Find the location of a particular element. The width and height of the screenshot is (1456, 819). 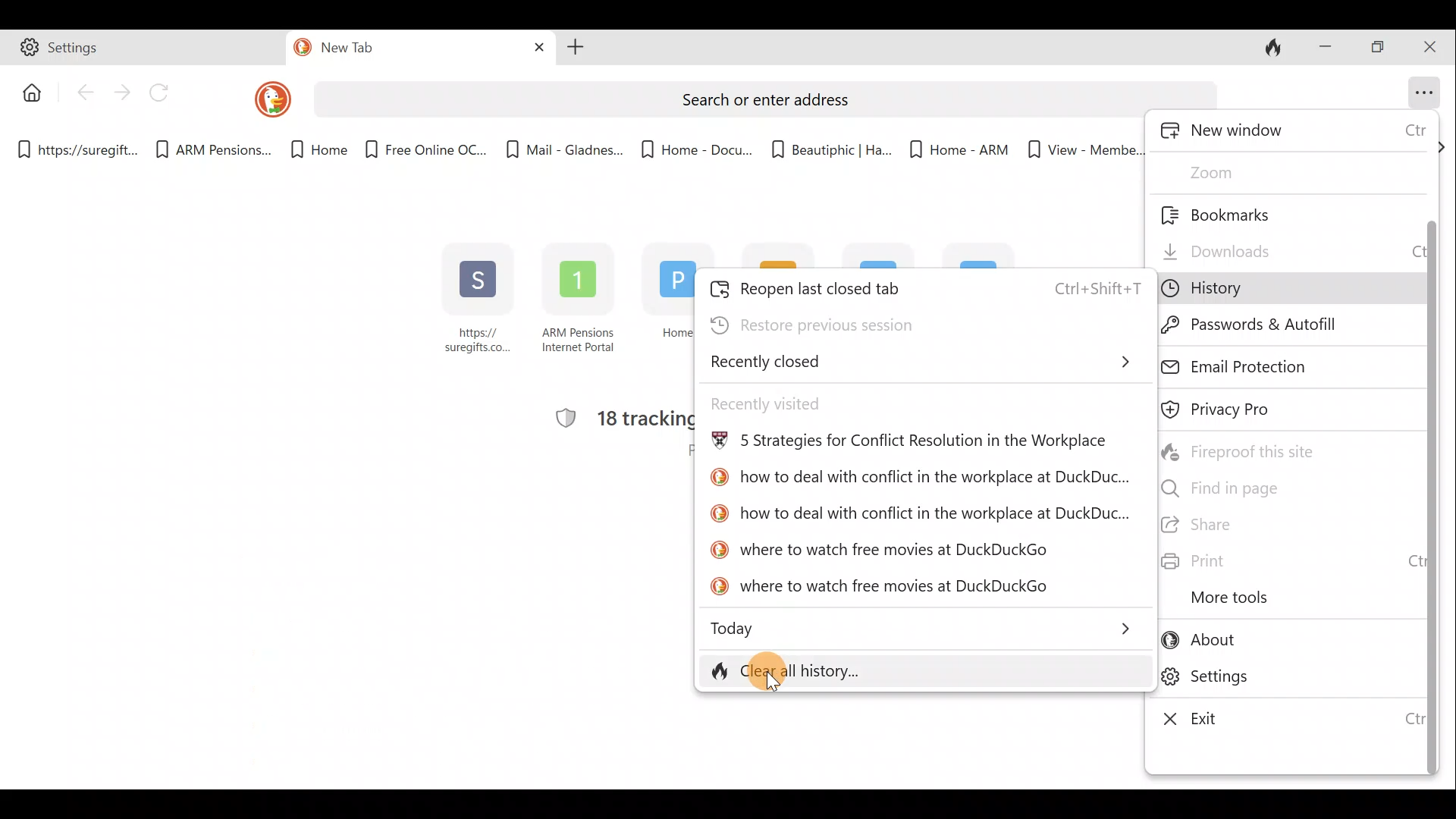

Close tabs and clear data is located at coordinates (1277, 48).